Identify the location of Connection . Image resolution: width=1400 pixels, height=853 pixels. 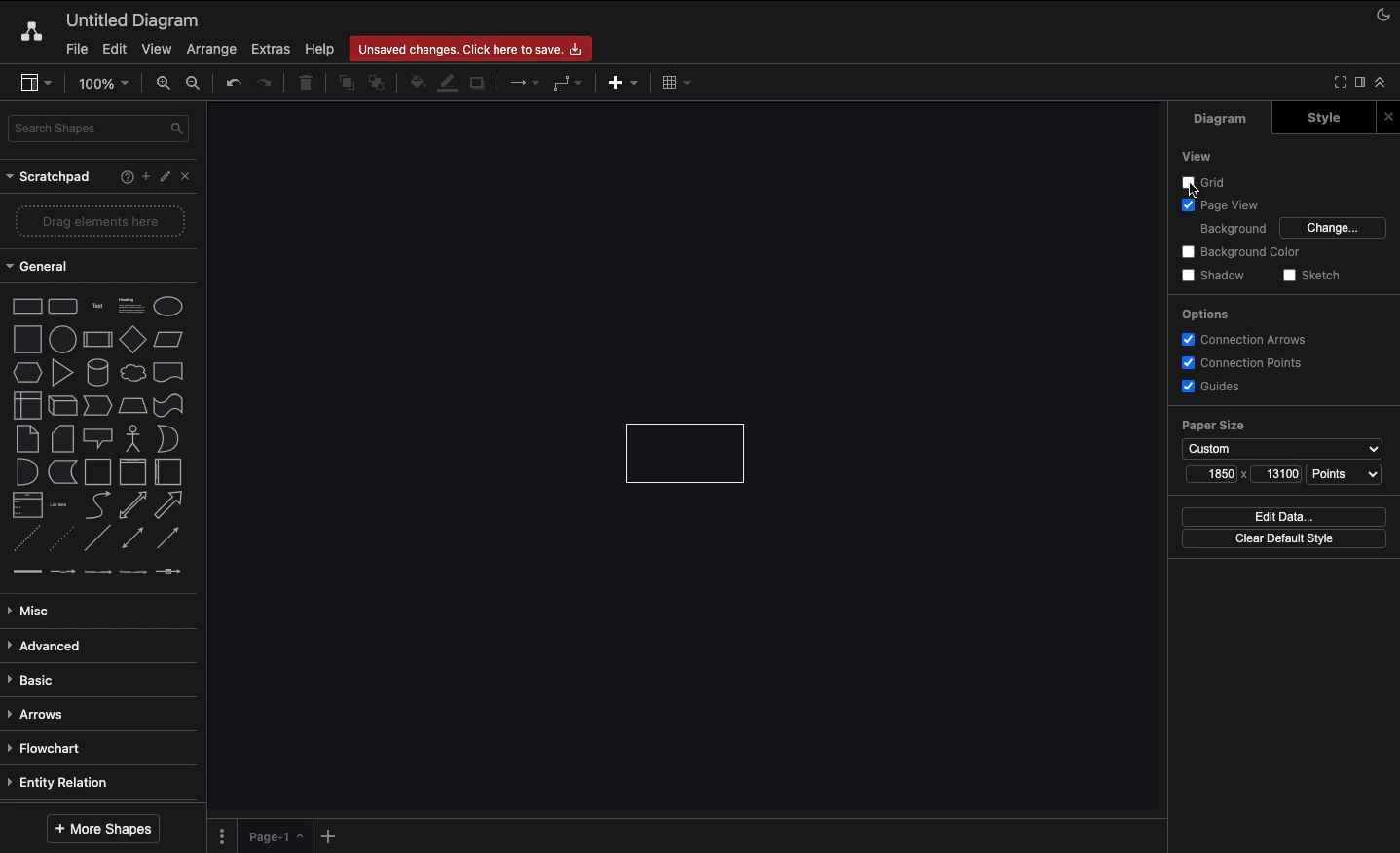
(522, 83).